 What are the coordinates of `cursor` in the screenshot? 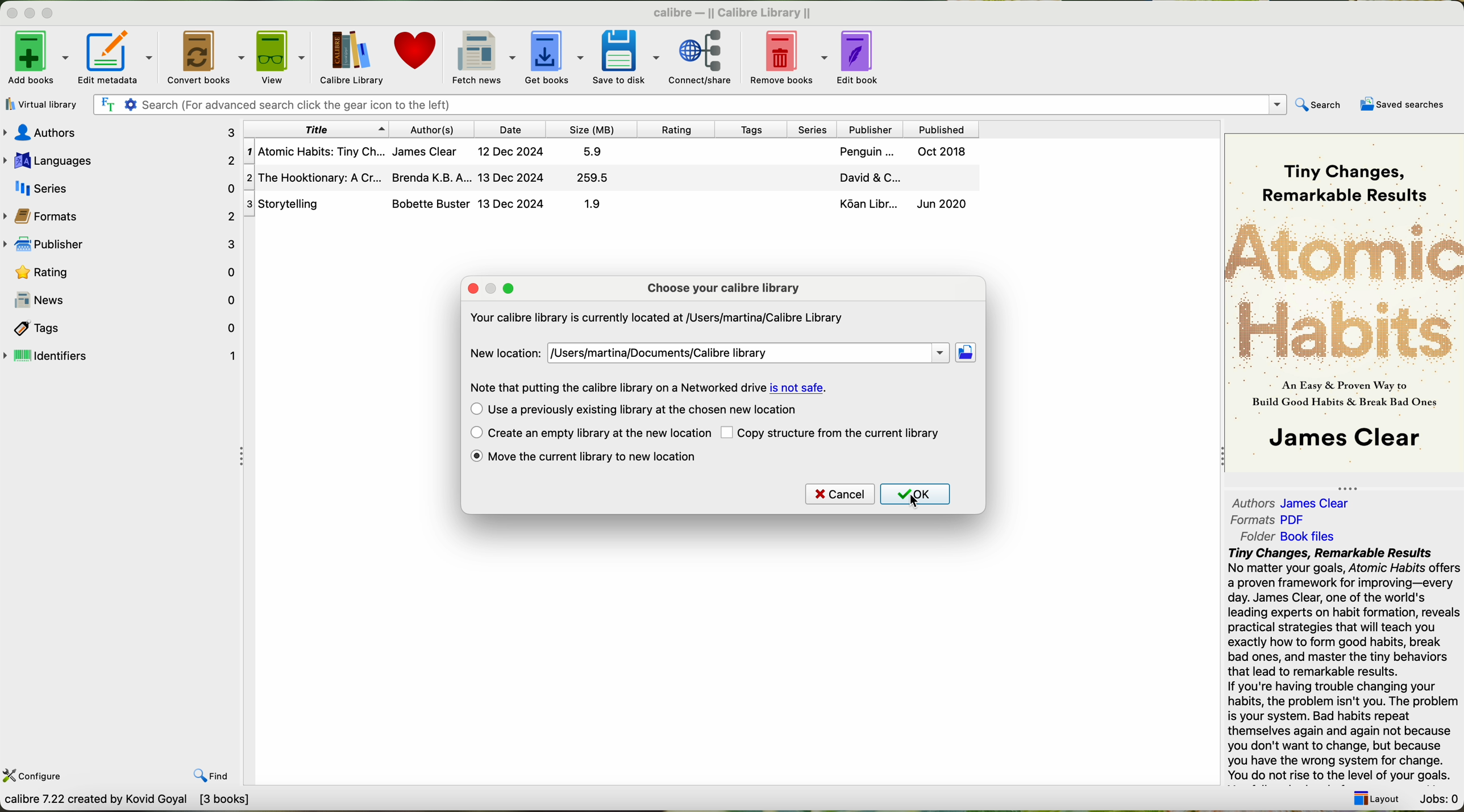 It's located at (915, 501).